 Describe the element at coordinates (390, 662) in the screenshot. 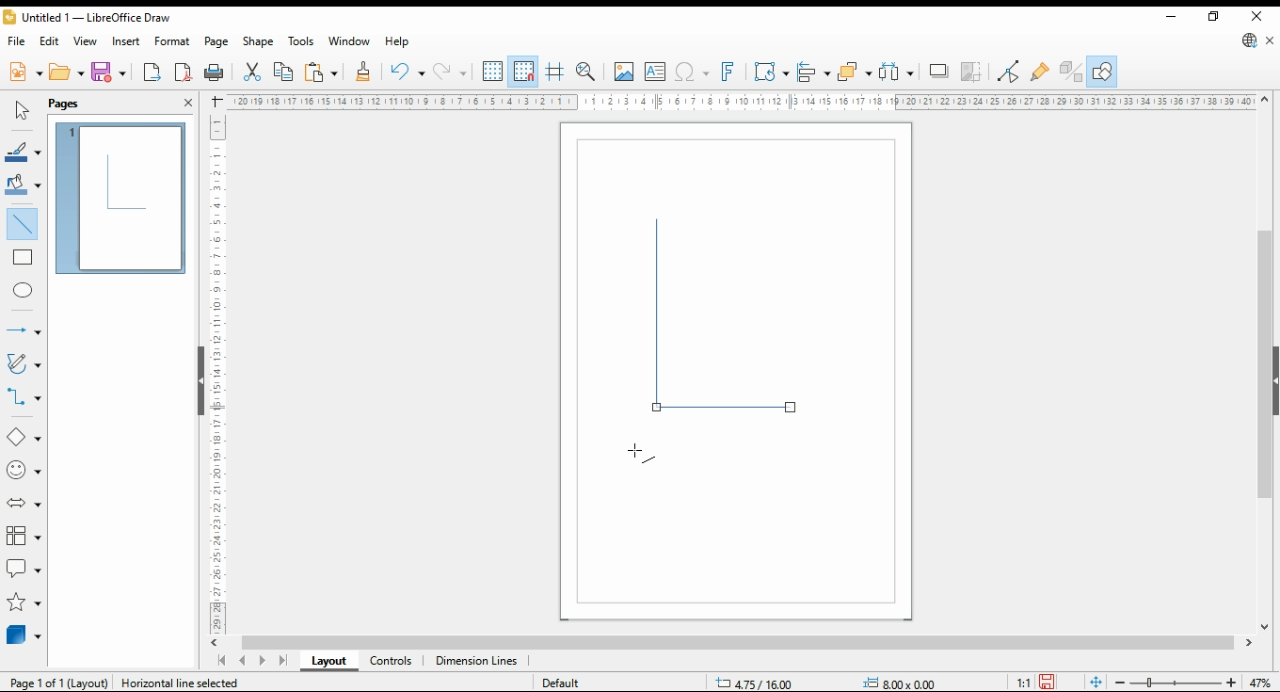

I see `controls` at that location.